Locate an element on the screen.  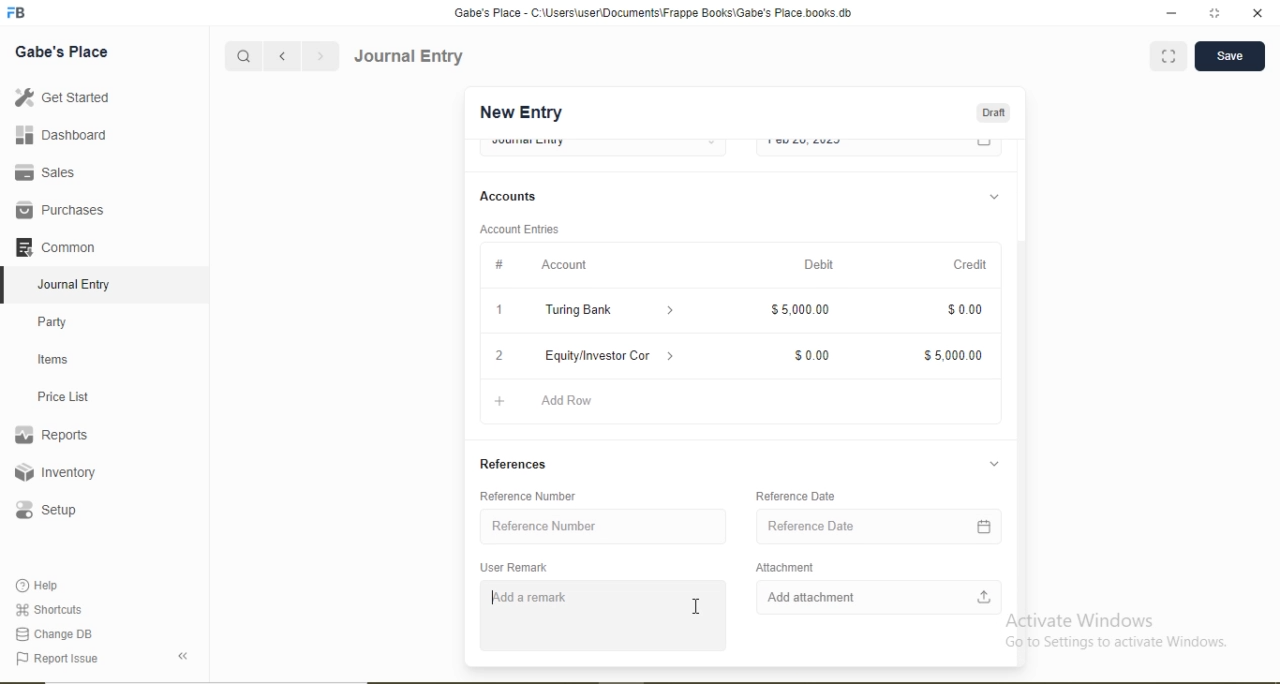
Debit is located at coordinates (820, 263).